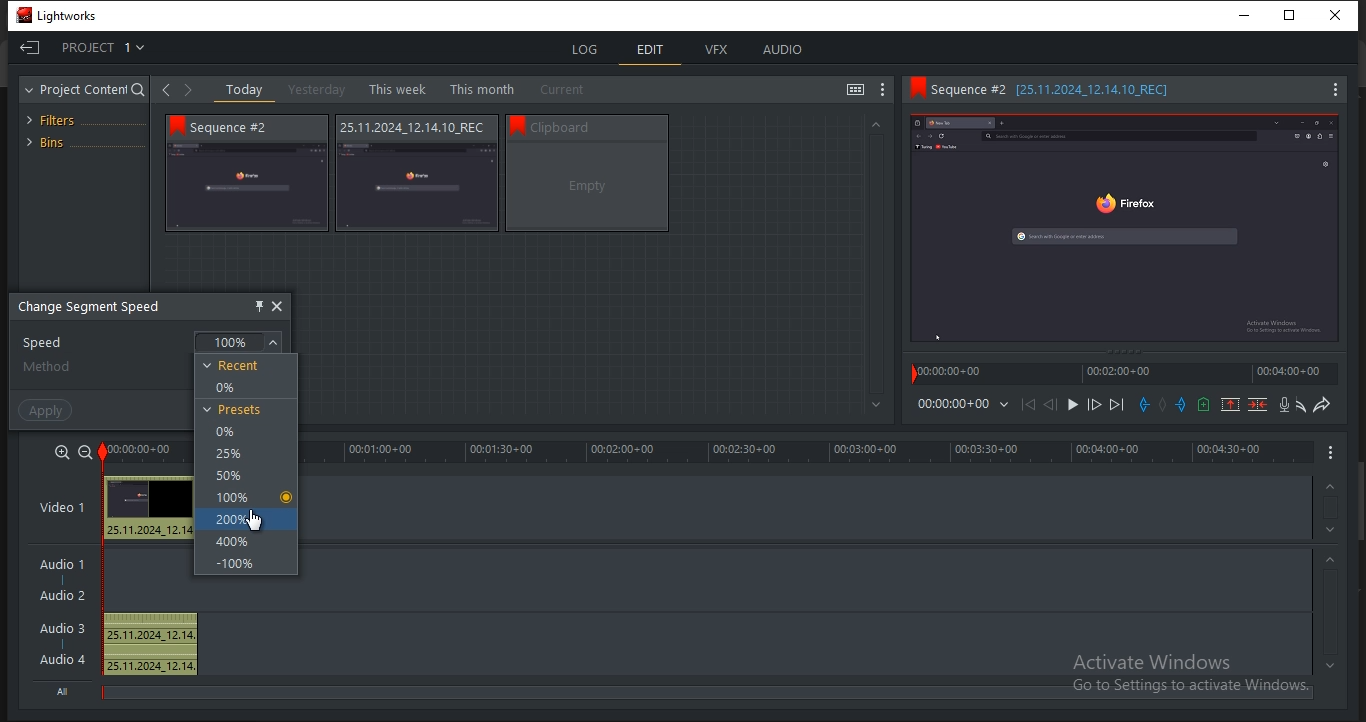 The width and height of the screenshot is (1366, 722). I want to click on Audio 2, so click(62, 597).